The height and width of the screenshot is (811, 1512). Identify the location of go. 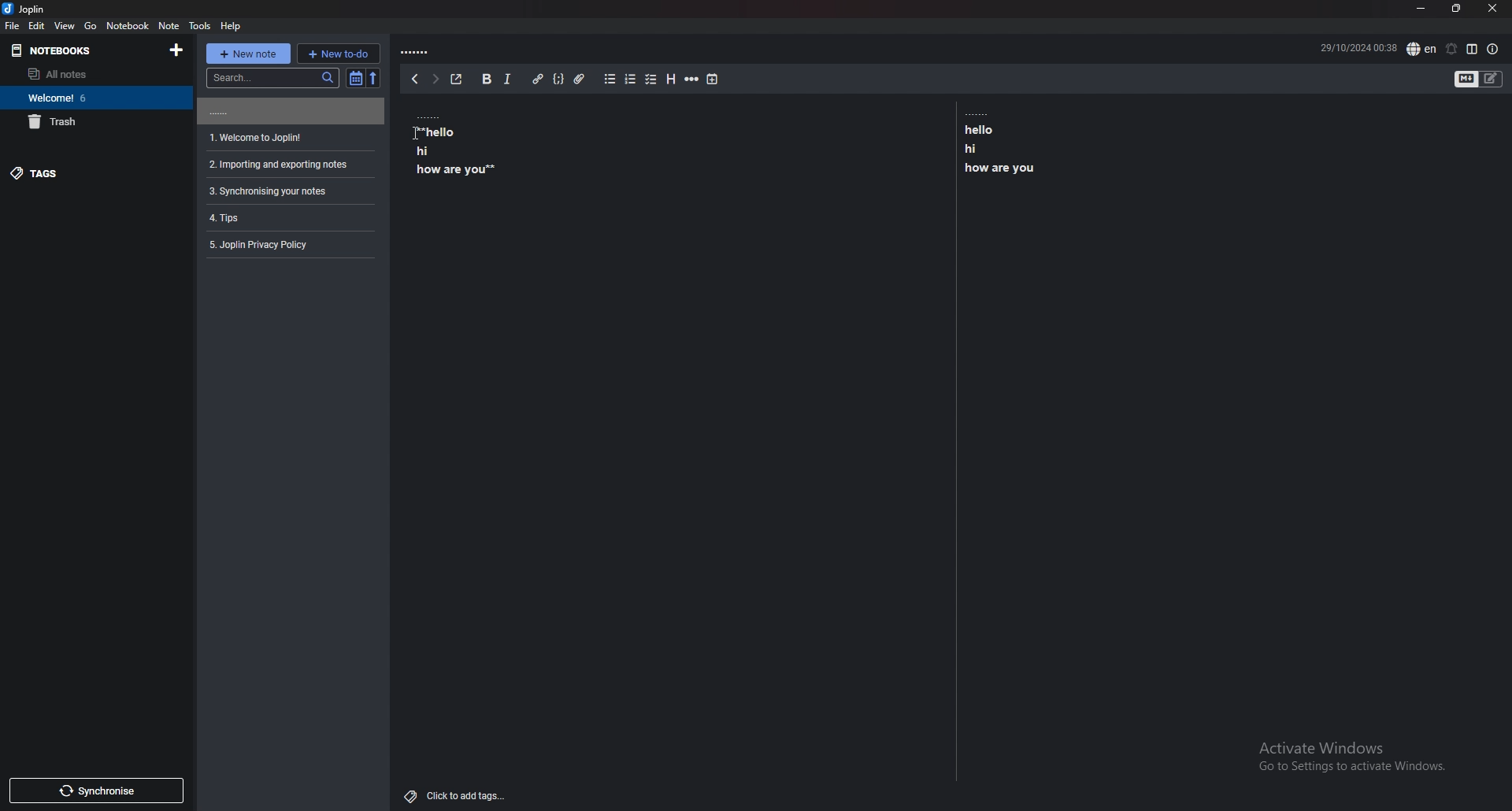
(91, 25).